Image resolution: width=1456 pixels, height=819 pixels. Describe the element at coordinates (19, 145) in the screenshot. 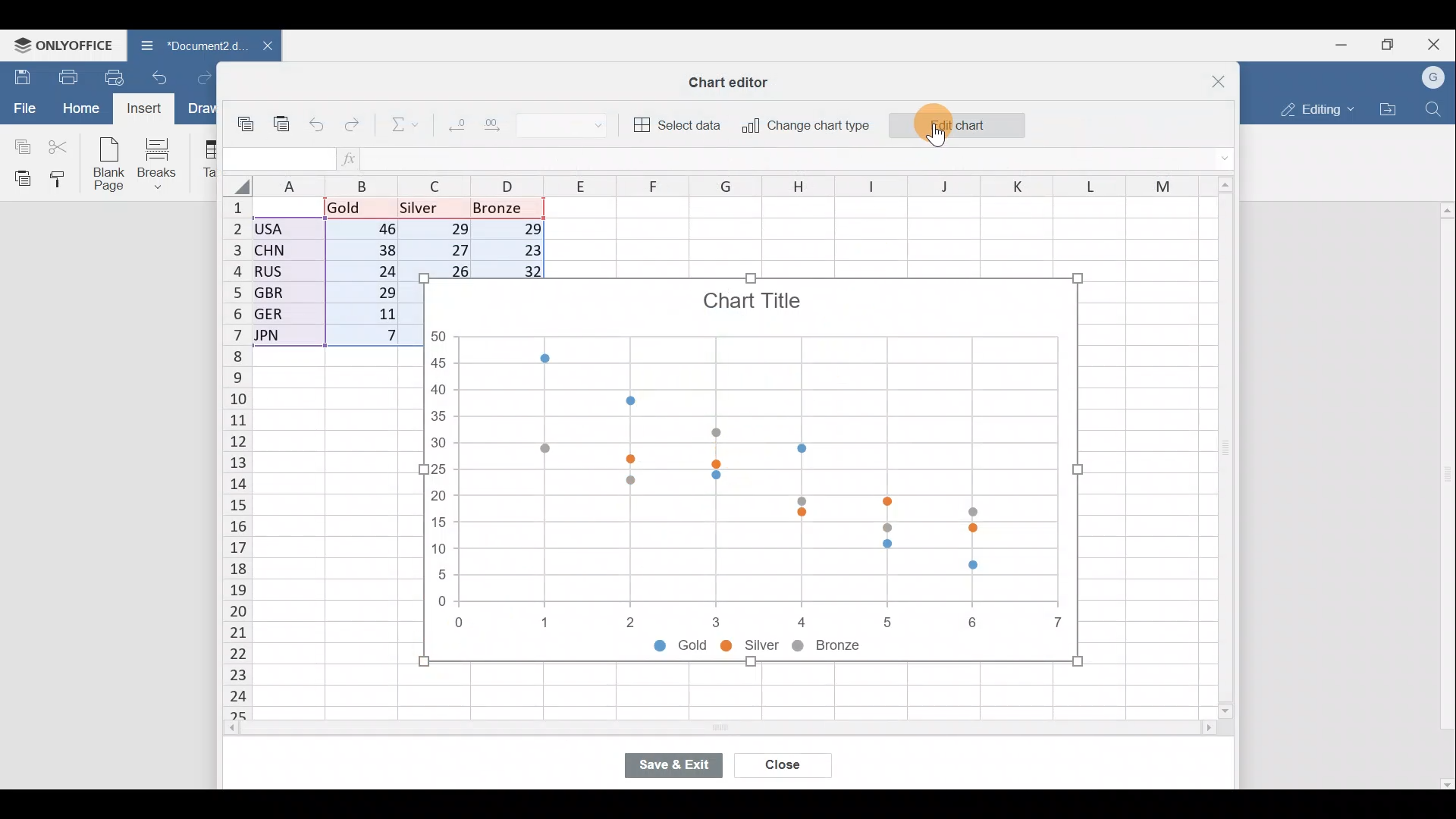

I see `Copy` at that location.